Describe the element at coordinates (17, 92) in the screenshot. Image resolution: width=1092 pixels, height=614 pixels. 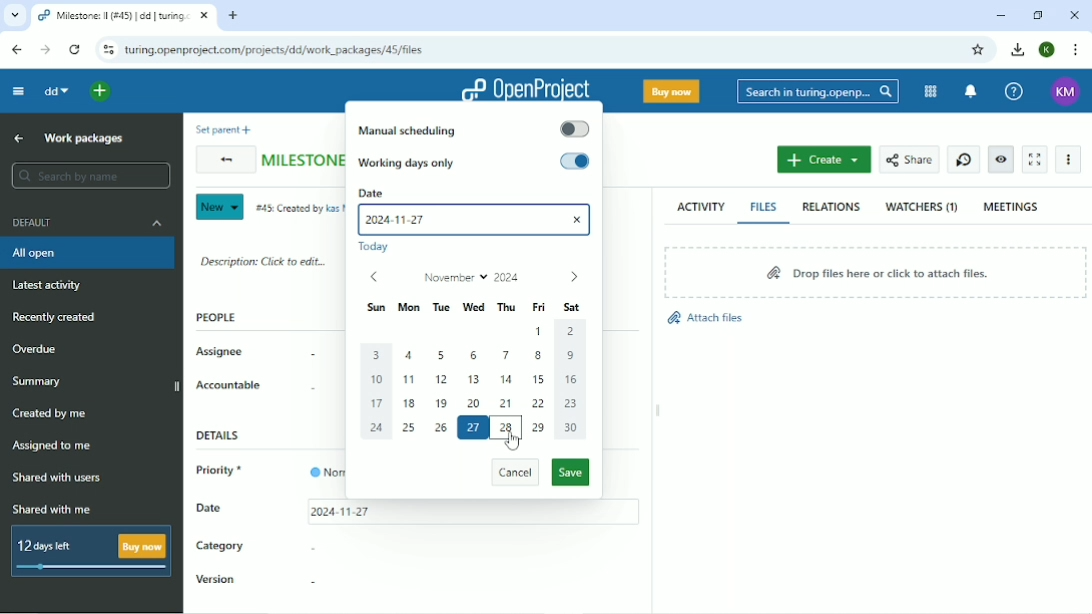
I see `Collapse project menu` at that location.